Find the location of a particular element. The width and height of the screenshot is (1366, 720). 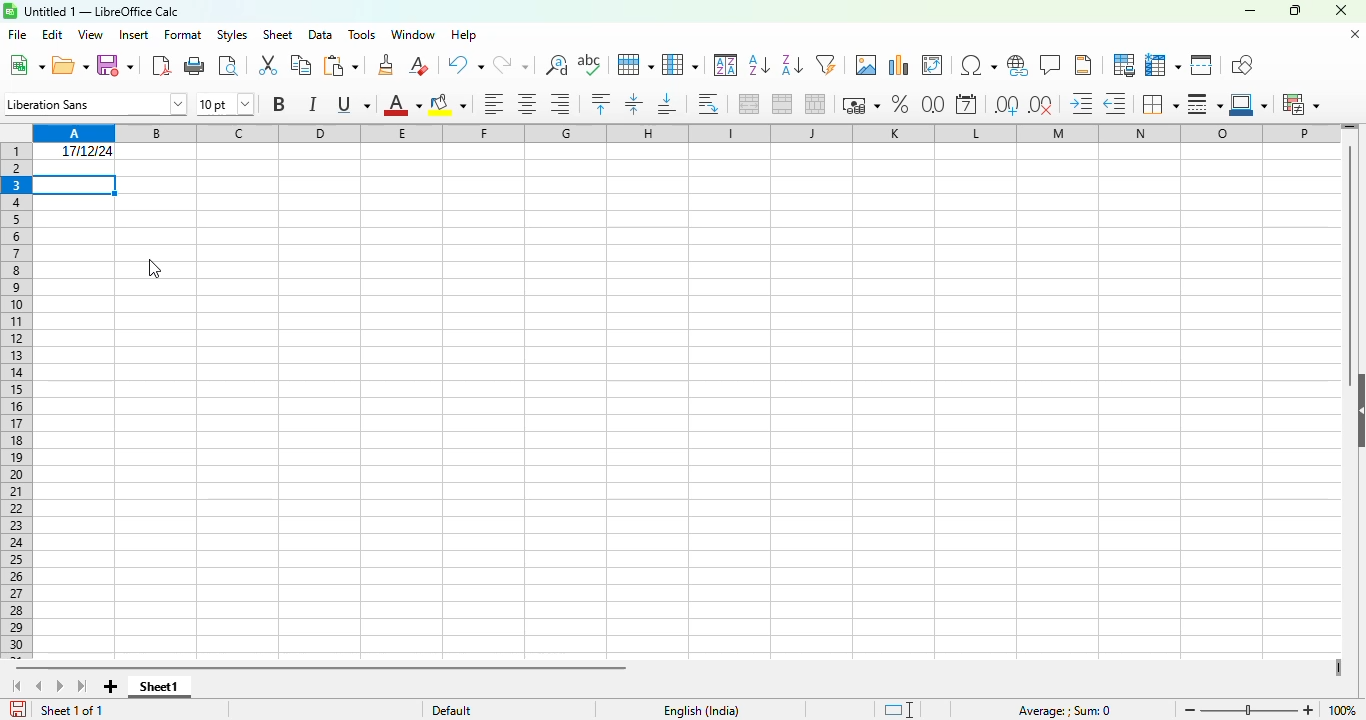

data is located at coordinates (319, 35).